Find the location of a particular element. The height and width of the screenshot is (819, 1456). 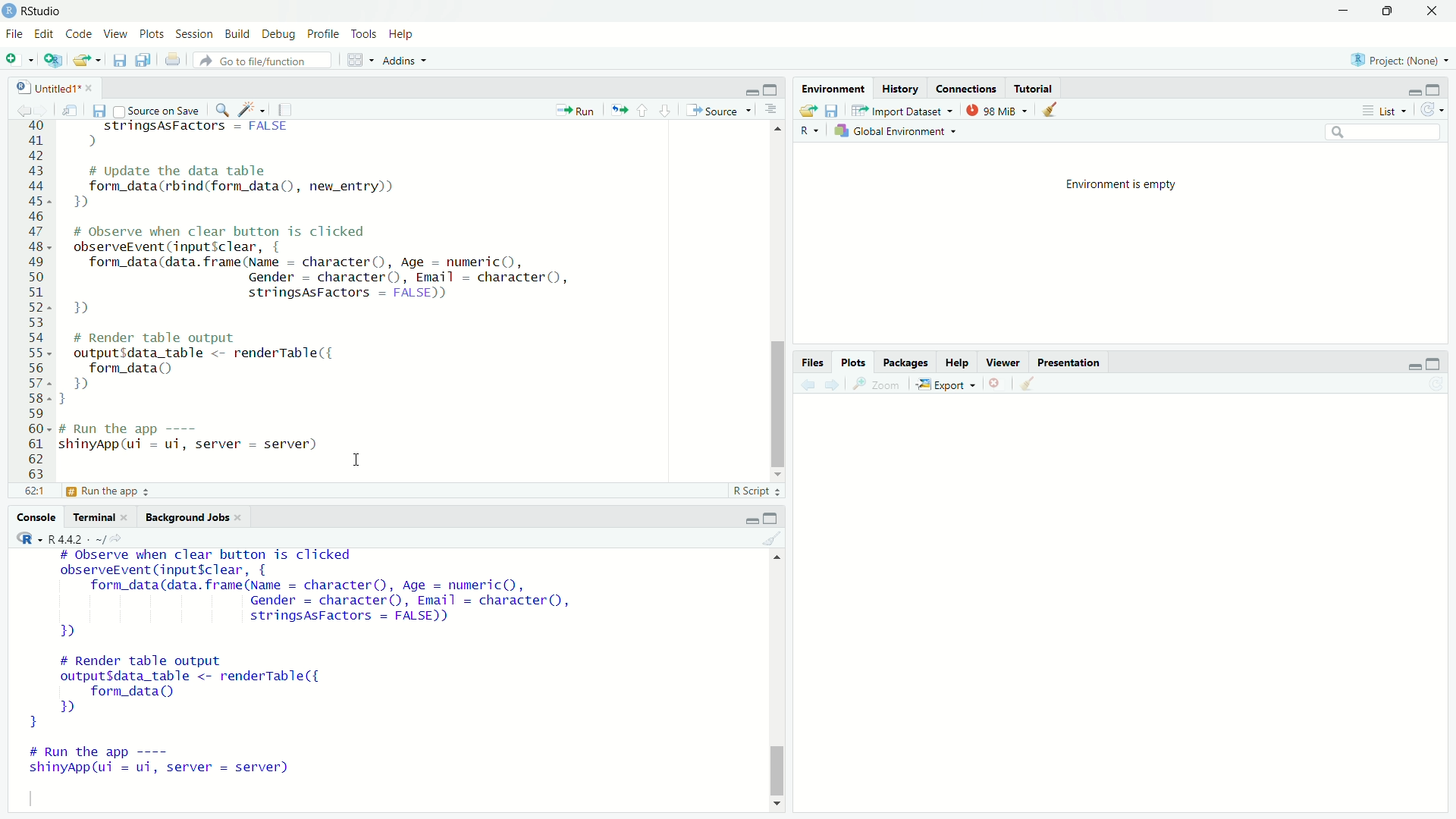

serial numbers is located at coordinates (33, 303).